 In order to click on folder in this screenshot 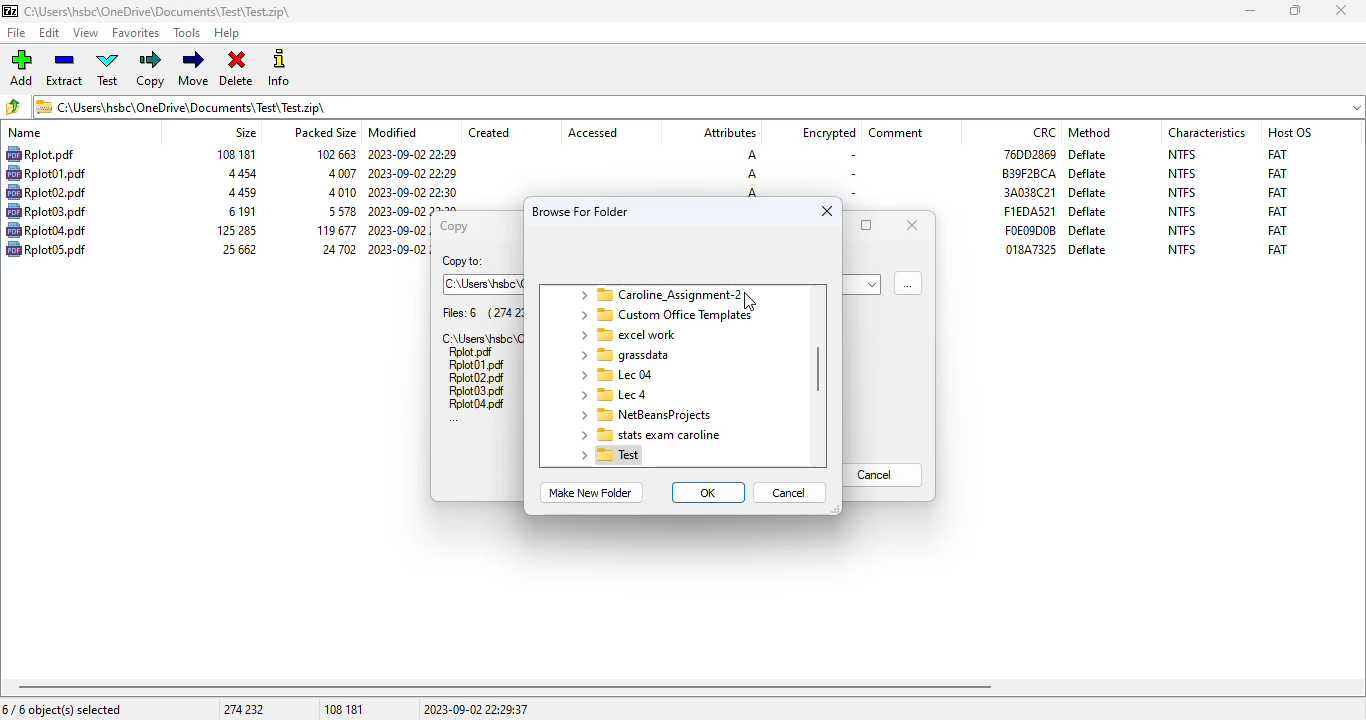, I will do `click(659, 294)`.